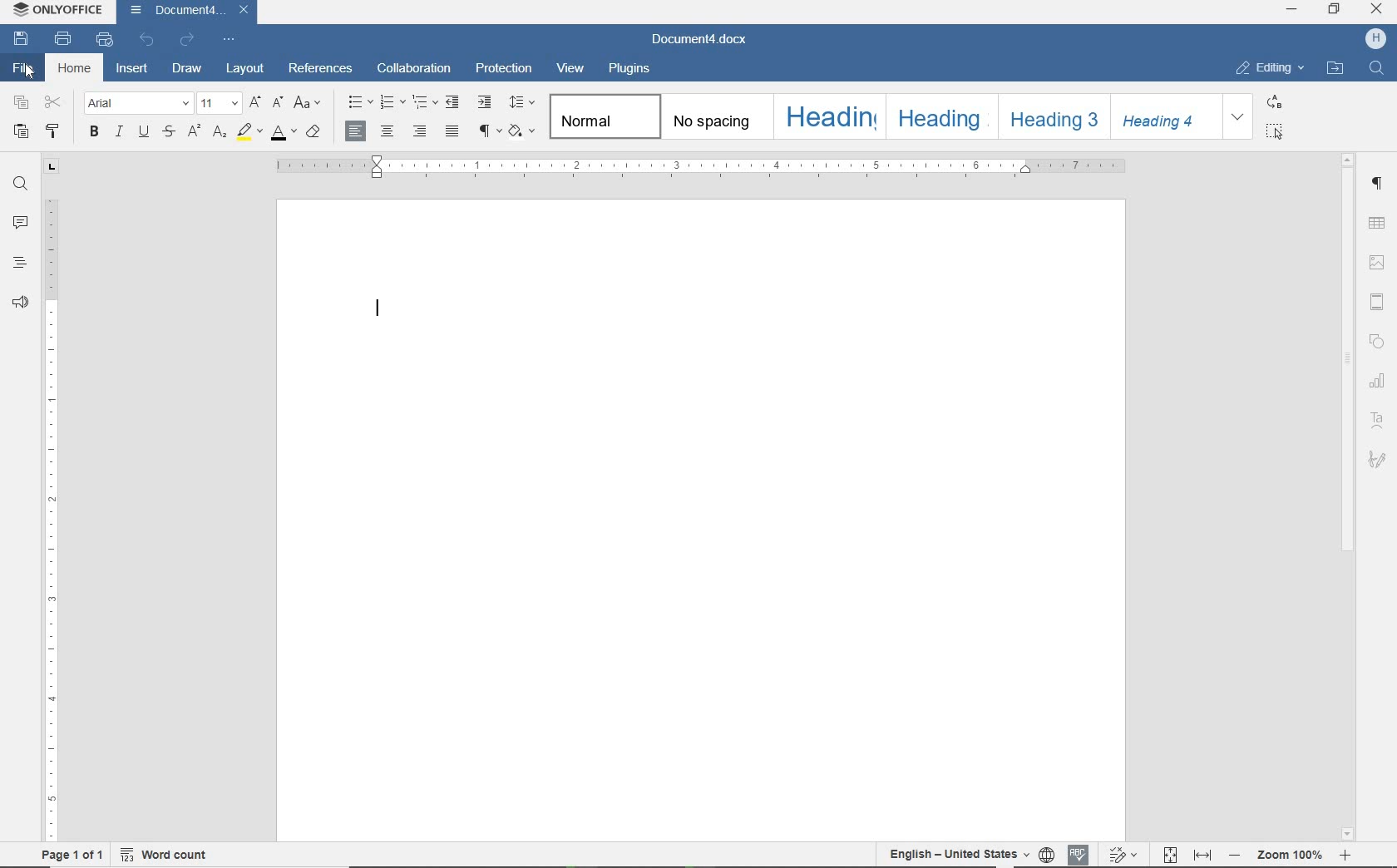  I want to click on copy, so click(20, 103).